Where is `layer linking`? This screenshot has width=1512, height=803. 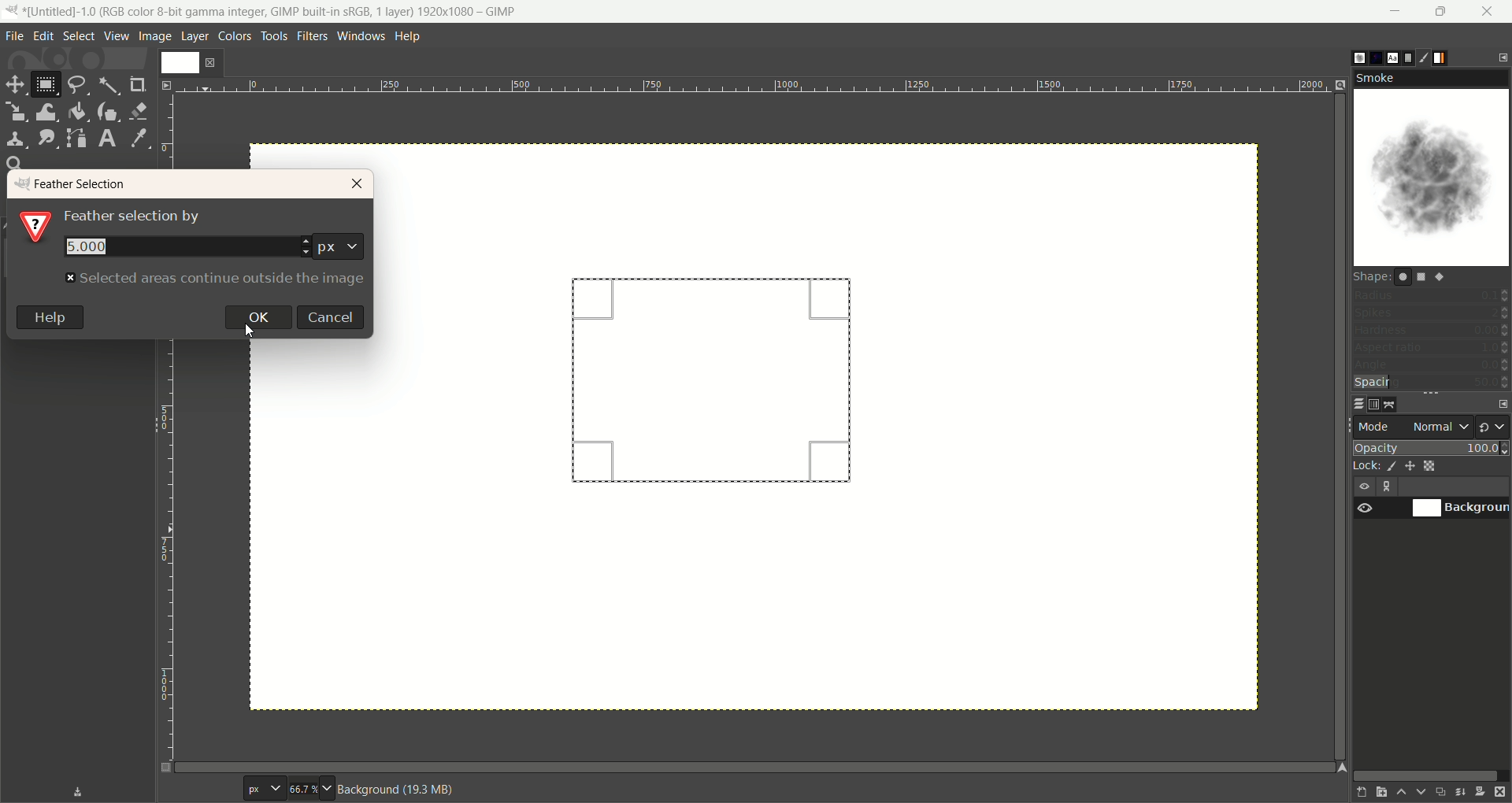 layer linking is located at coordinates (1390, 487).